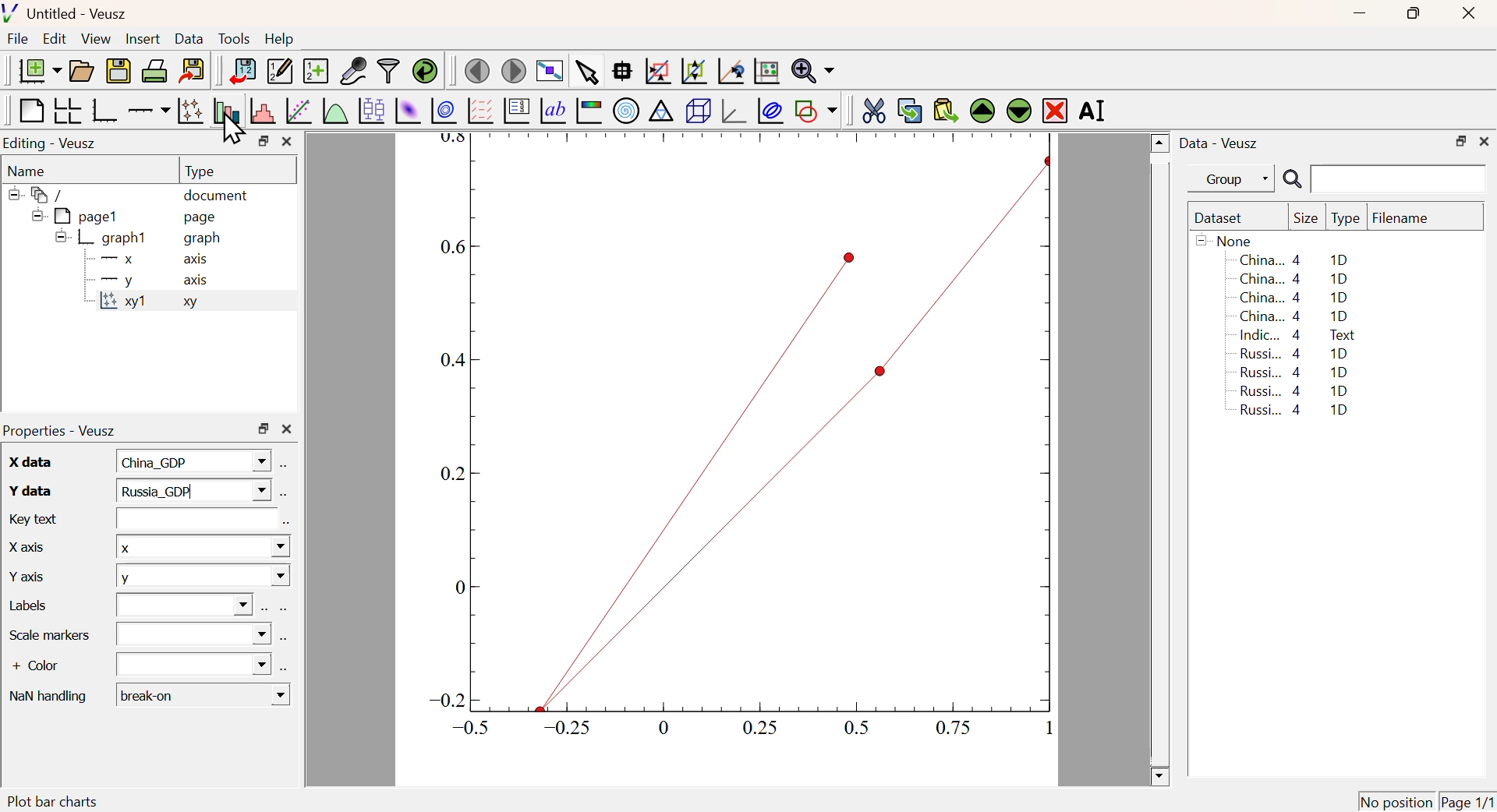 This screenshot has height=812, width=1497. I want to click on Select using dataset Browser, so click(286, 524).